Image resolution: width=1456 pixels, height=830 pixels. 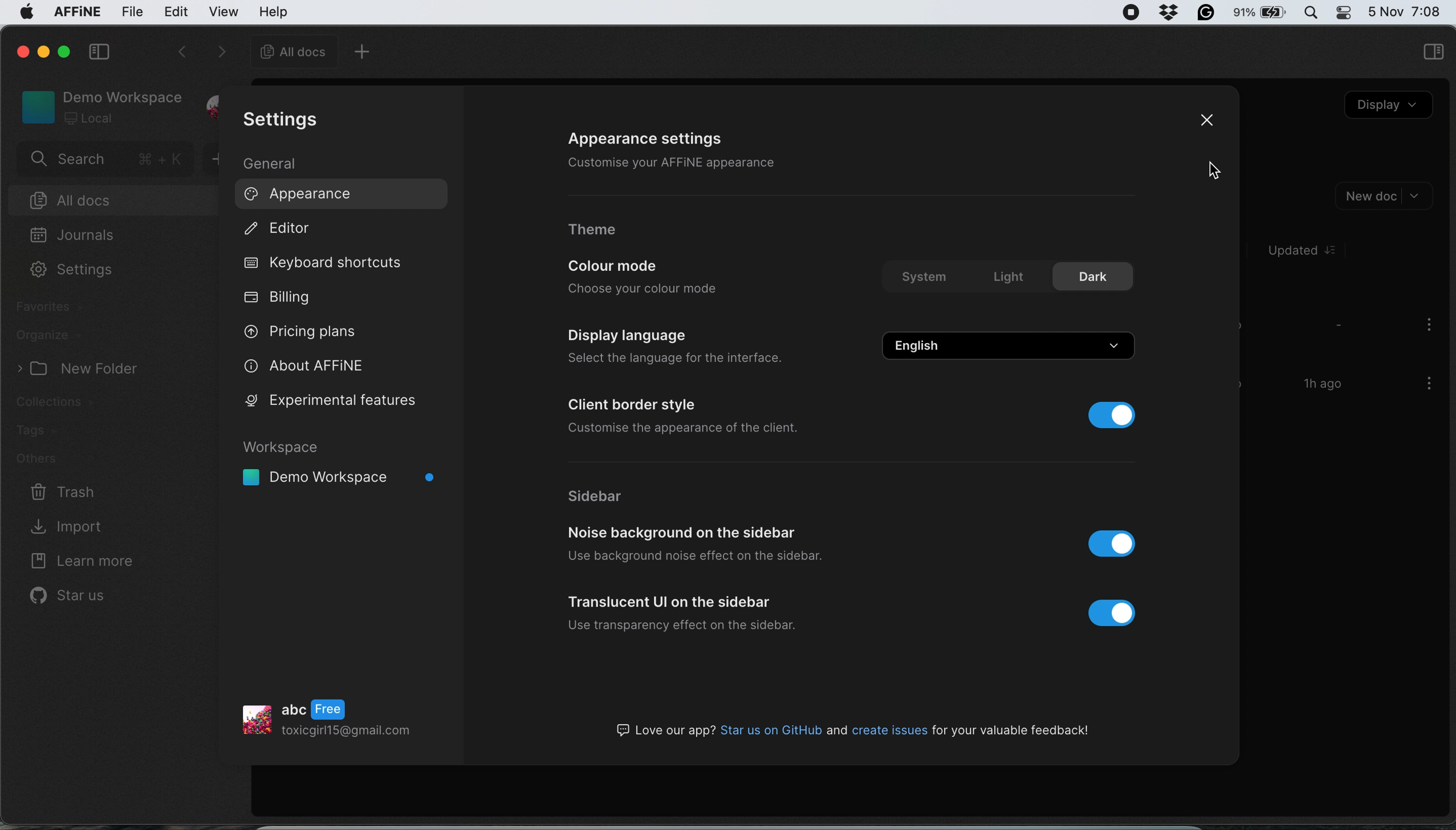 I want to click on system, so click(x=929, y=275).